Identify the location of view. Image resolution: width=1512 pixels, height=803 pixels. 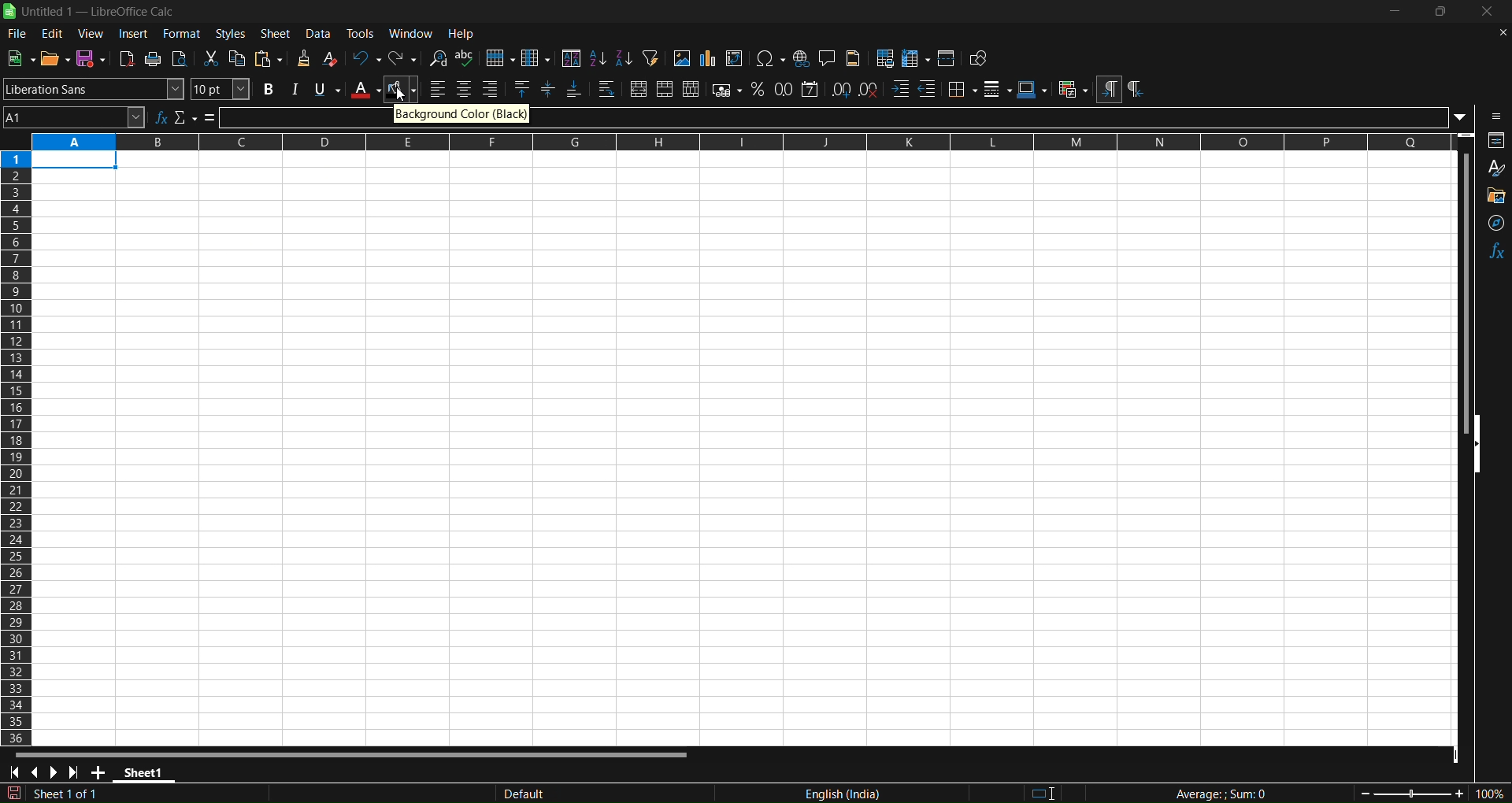
(91, 34).